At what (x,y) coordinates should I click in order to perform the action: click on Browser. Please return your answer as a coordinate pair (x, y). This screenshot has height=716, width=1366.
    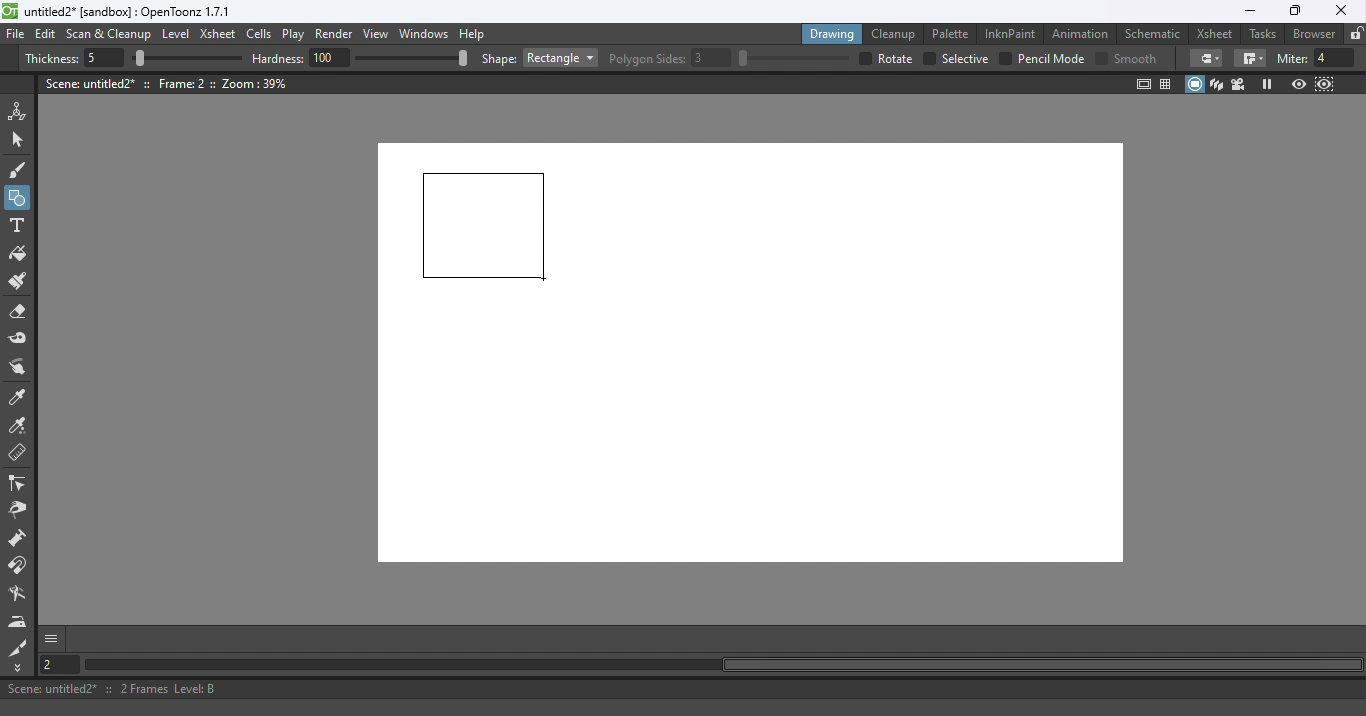
    Looking at the image, I should click on (1311, 33).